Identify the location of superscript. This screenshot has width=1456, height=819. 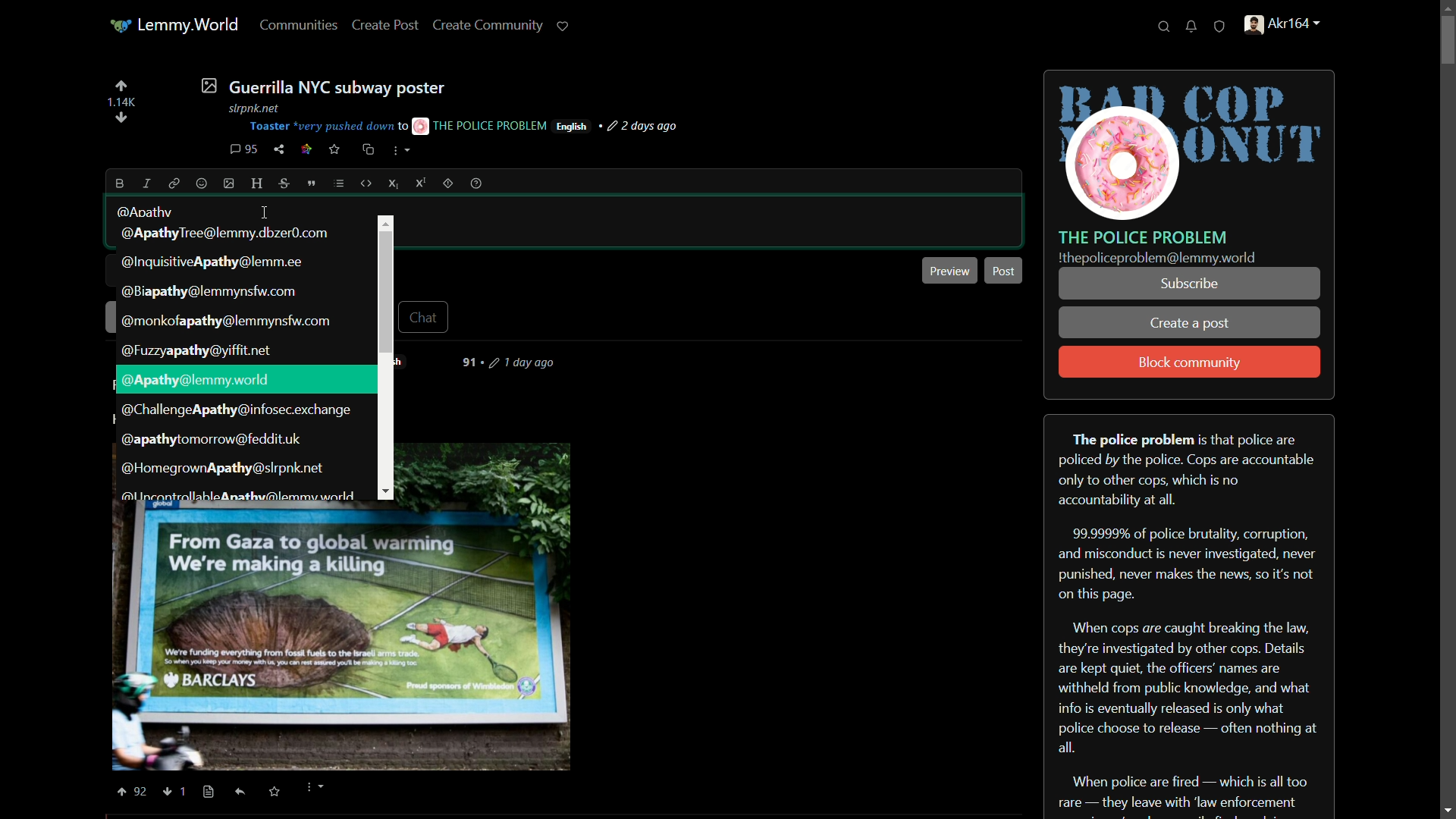
(421, 183).